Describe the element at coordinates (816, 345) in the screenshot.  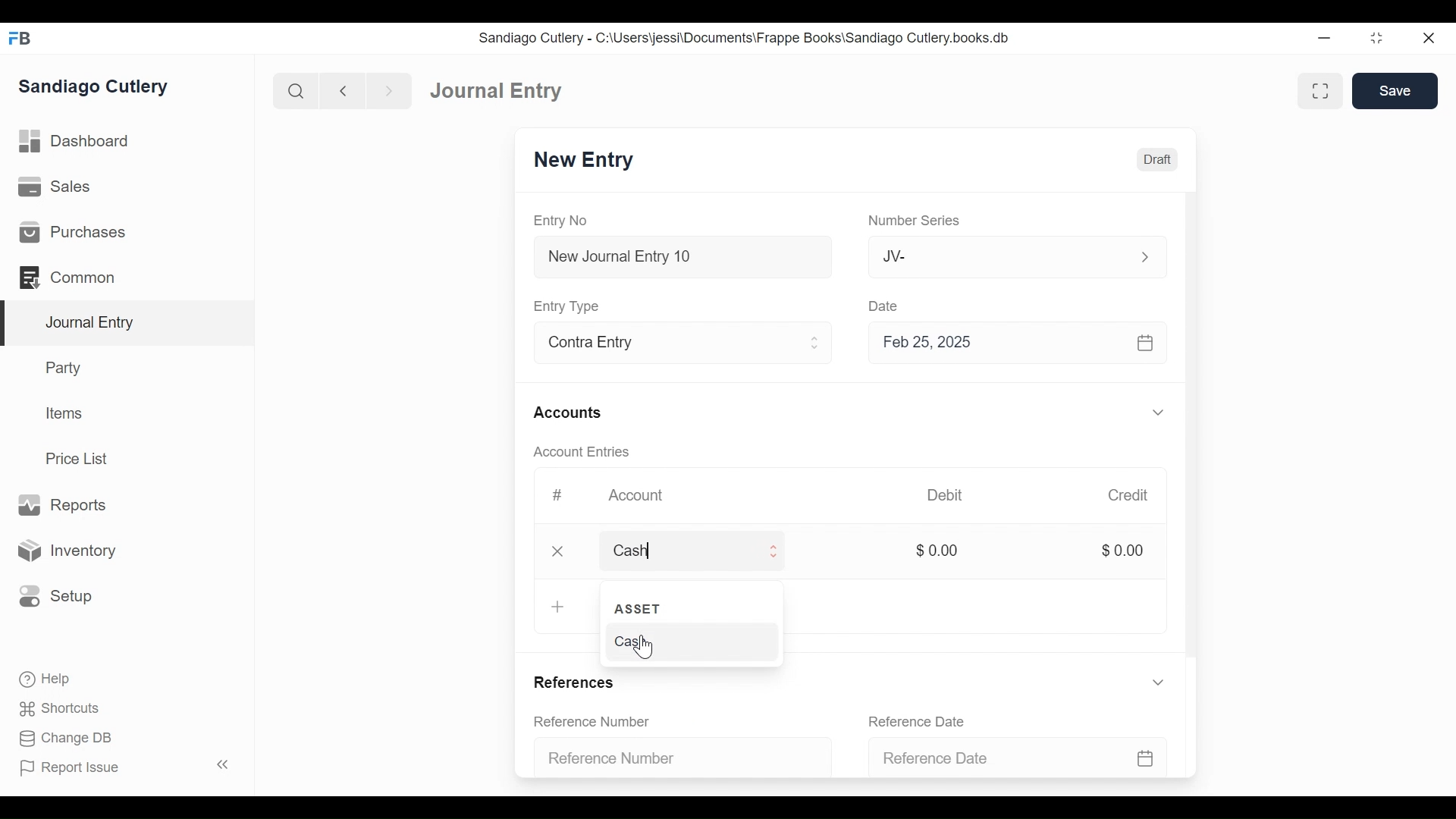
I see `Expand` at that location.